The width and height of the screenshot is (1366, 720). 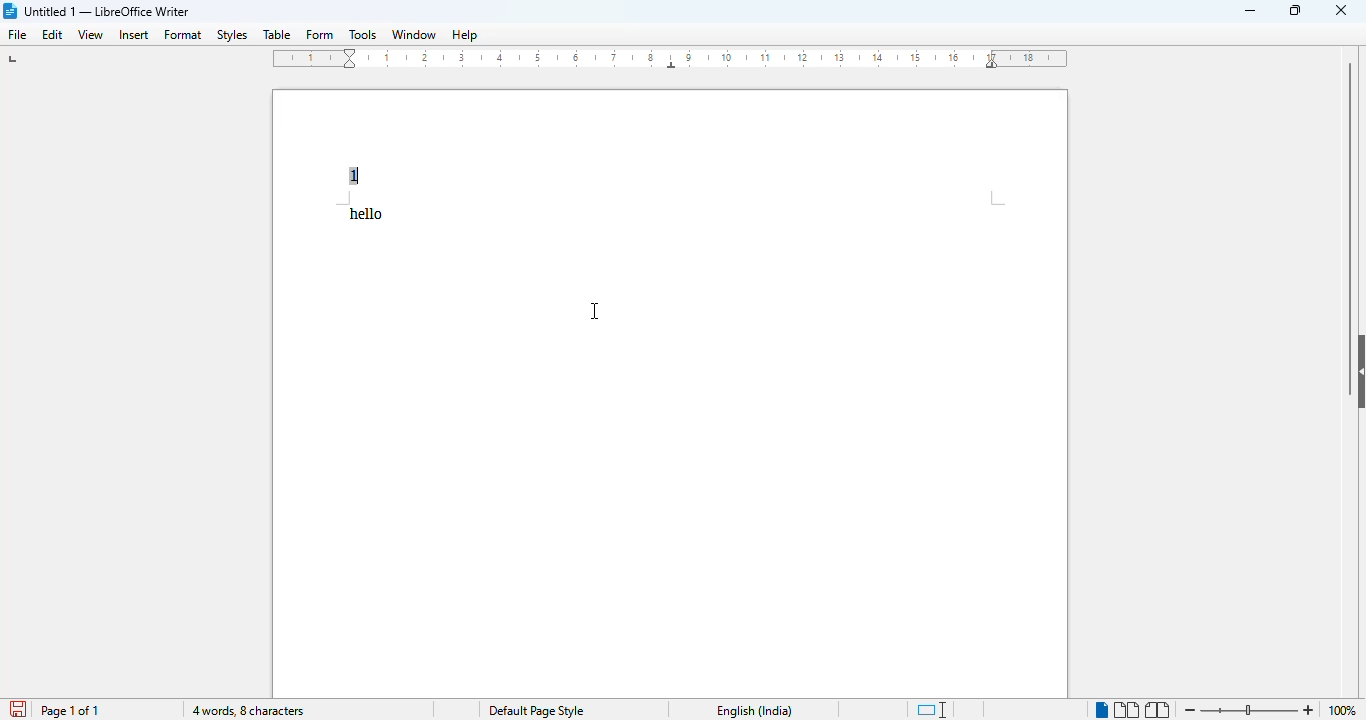 What do you see at coordinates (414, 34) in the screenshot?
I see `window` at bounding box center [414, 34].